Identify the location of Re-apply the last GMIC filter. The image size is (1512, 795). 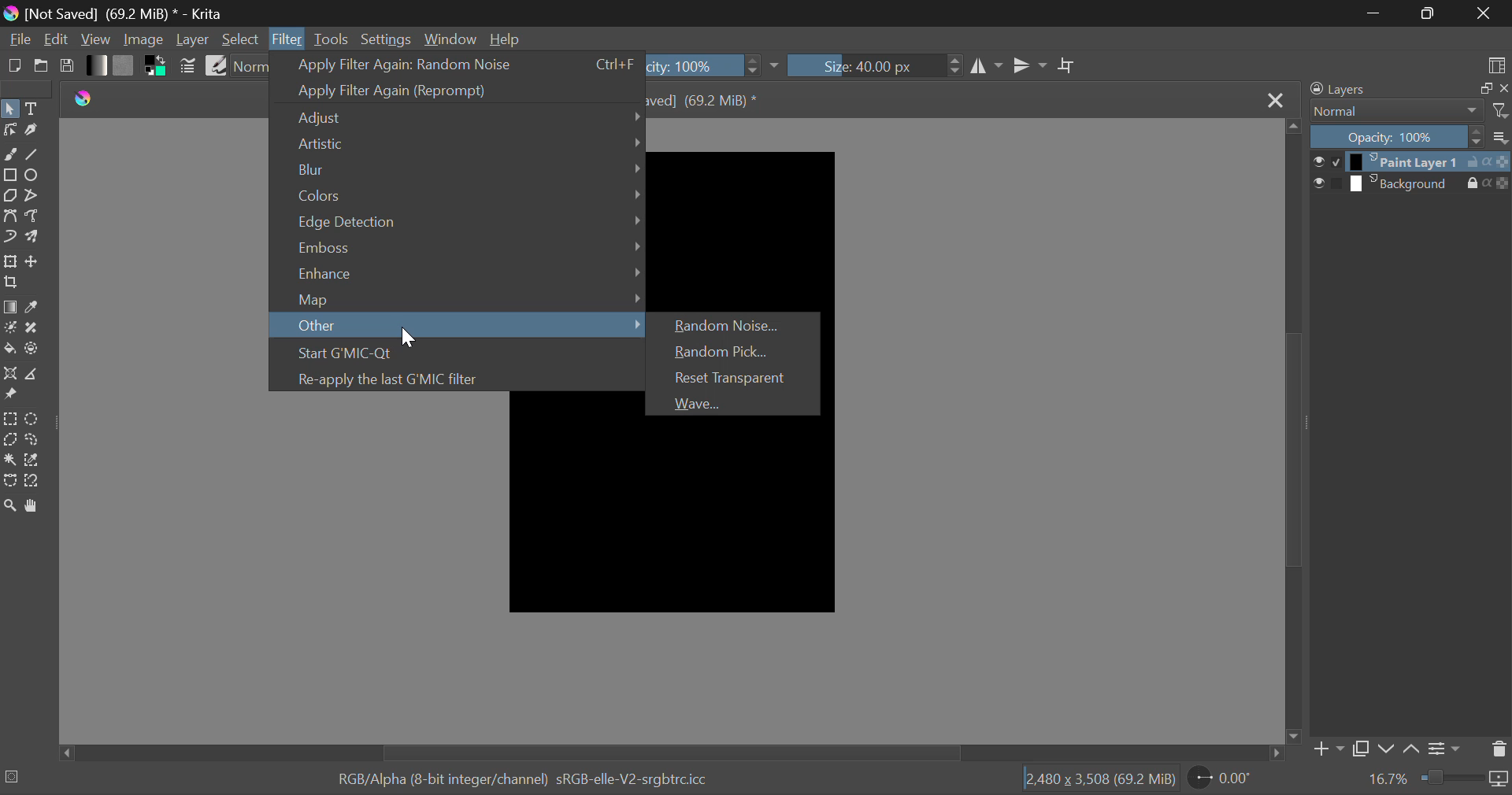
(457, 378).